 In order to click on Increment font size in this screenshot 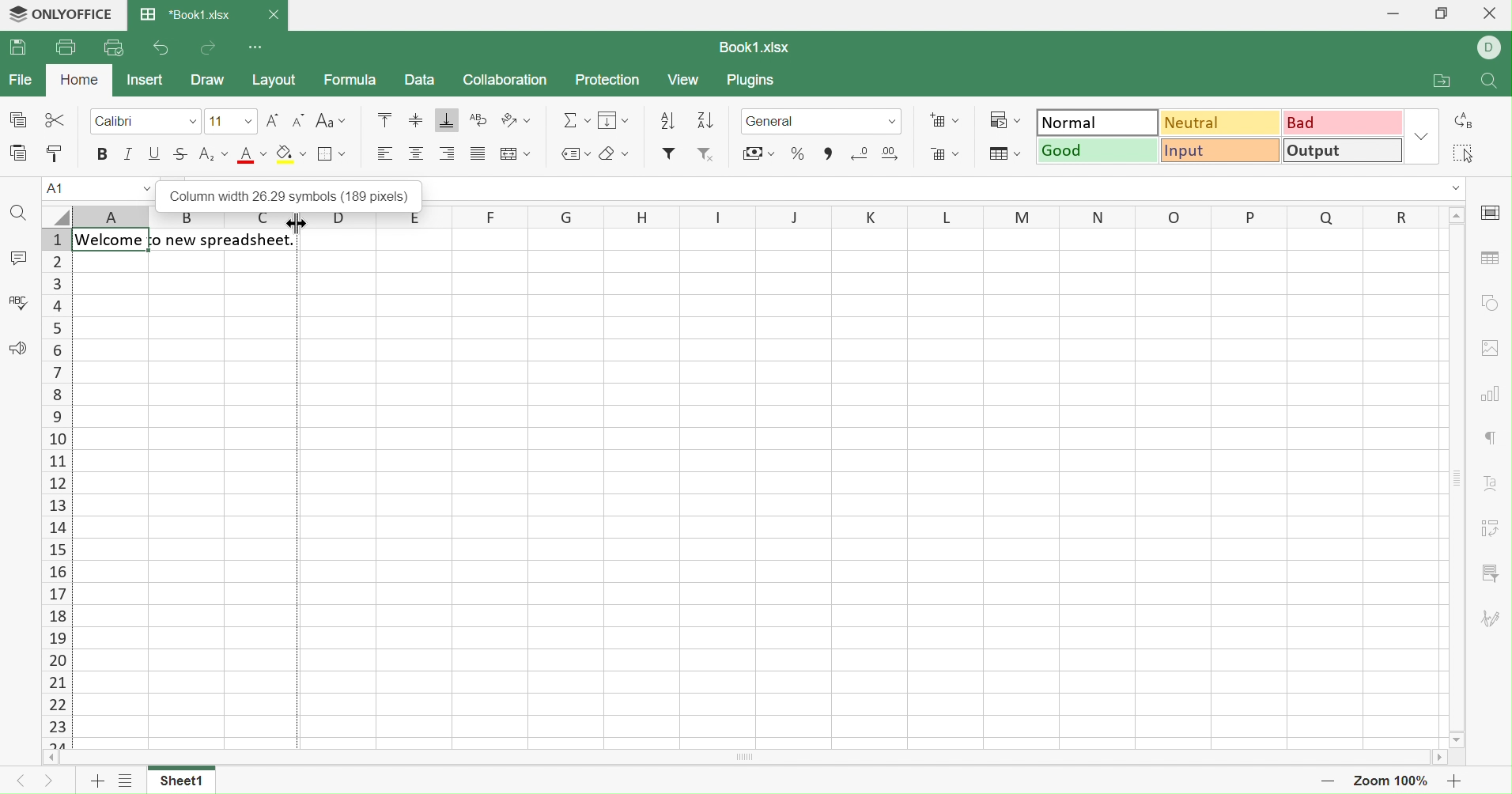, I will do `click(272, 120)`.